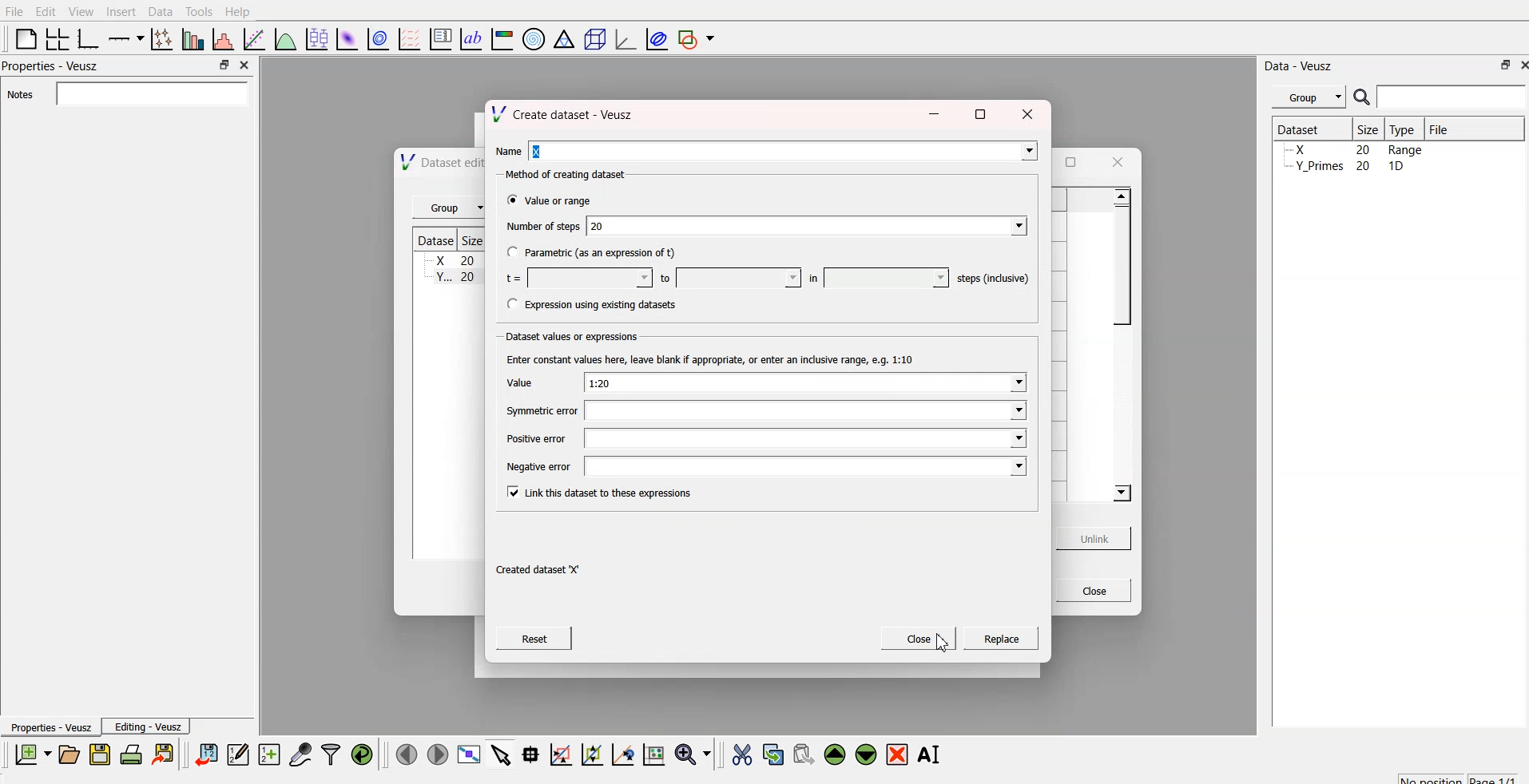  Describe the element at coordinates (1519, 66) in the screenshot. I see `close` at that location.